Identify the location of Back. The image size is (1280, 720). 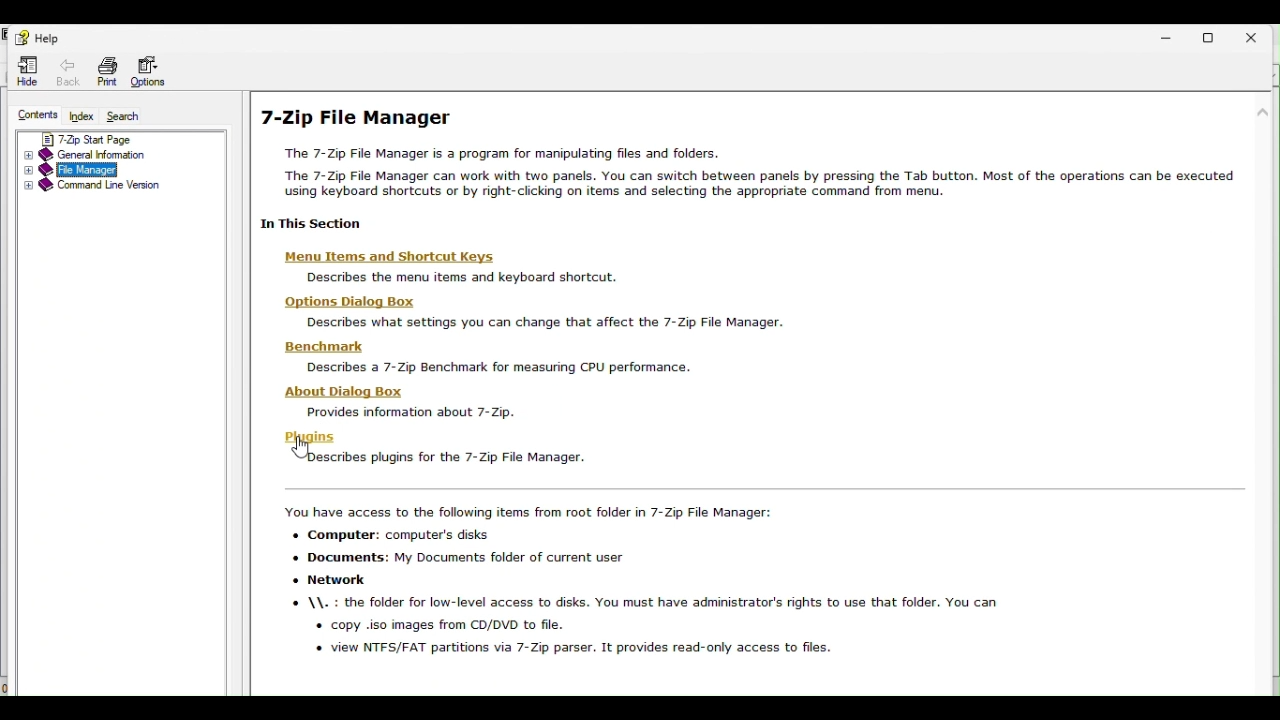
(70, 74).